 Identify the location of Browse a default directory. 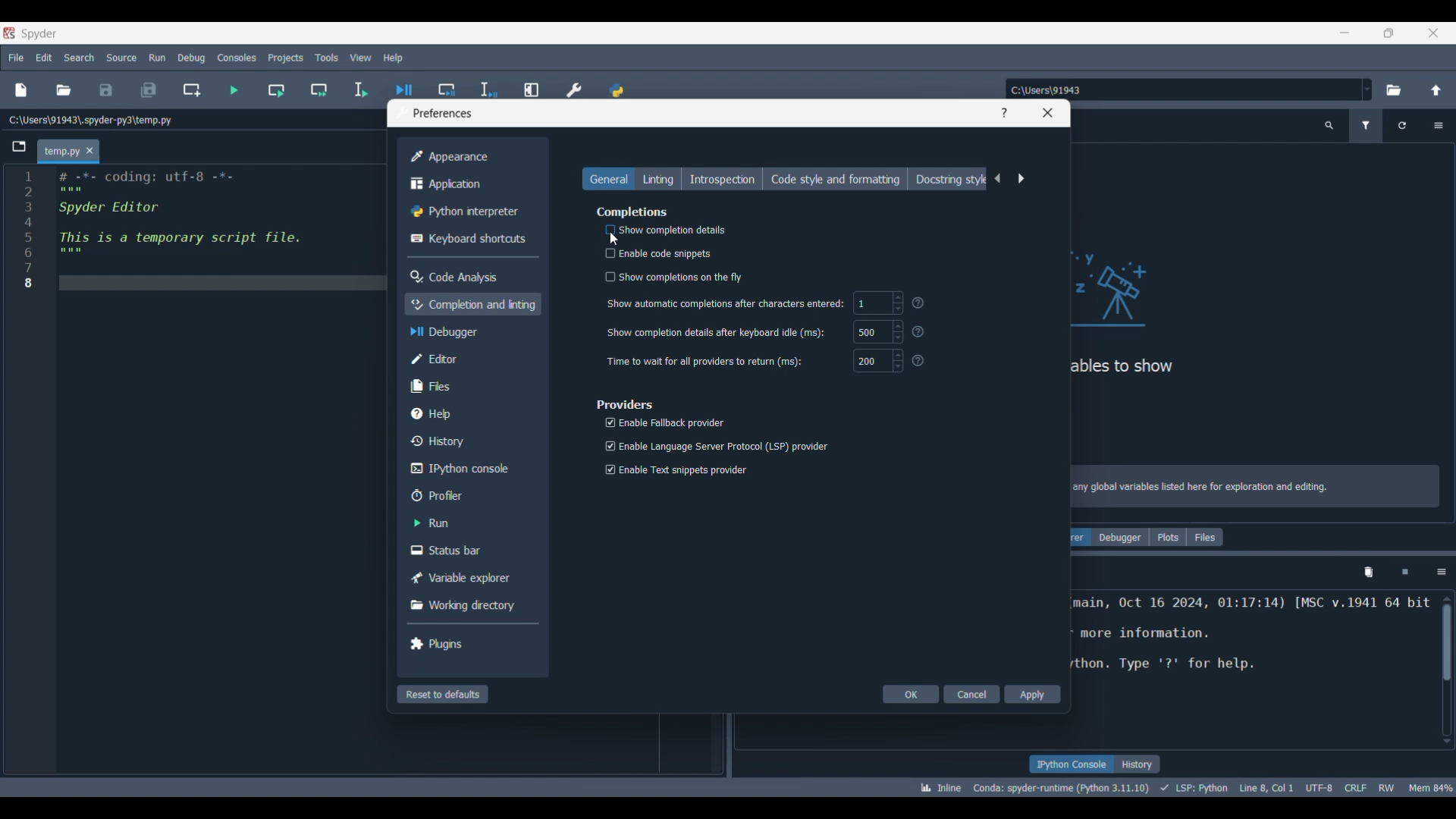
(1394, 90).